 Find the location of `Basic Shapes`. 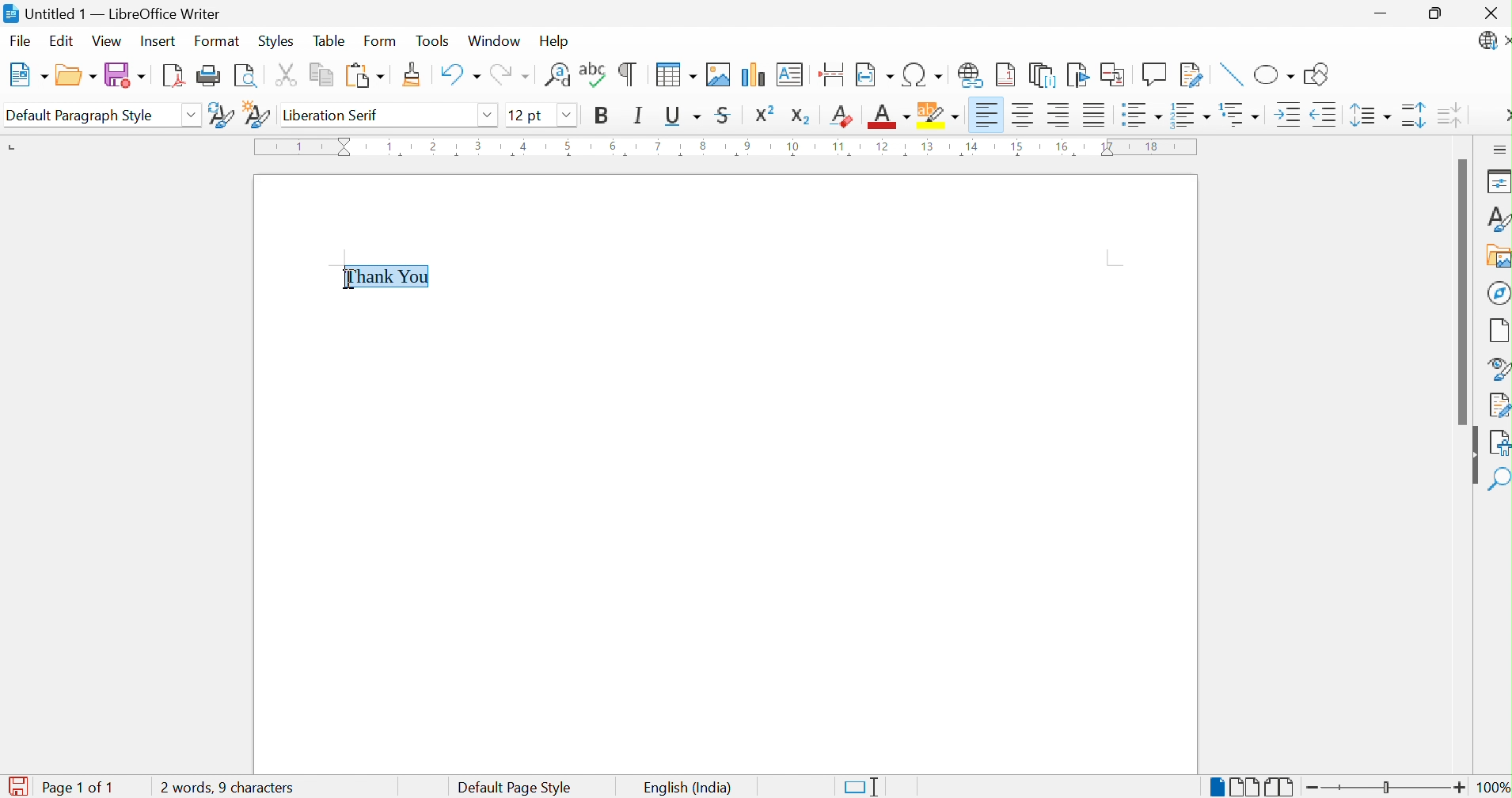

Basic Shapes is located at coordinates (1272, 72).